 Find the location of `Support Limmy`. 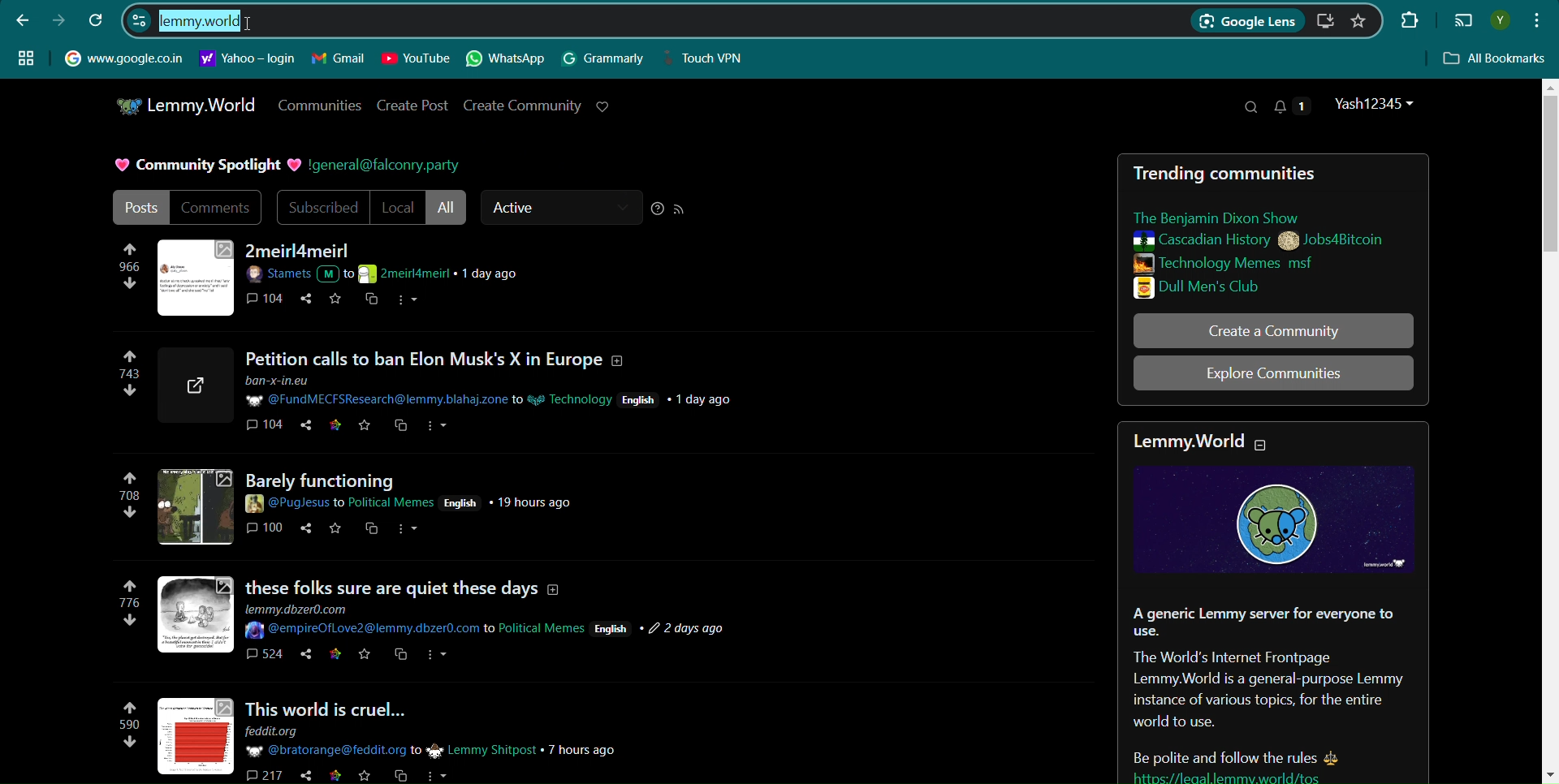

Support Limmy is located at coordinates (603, 106).